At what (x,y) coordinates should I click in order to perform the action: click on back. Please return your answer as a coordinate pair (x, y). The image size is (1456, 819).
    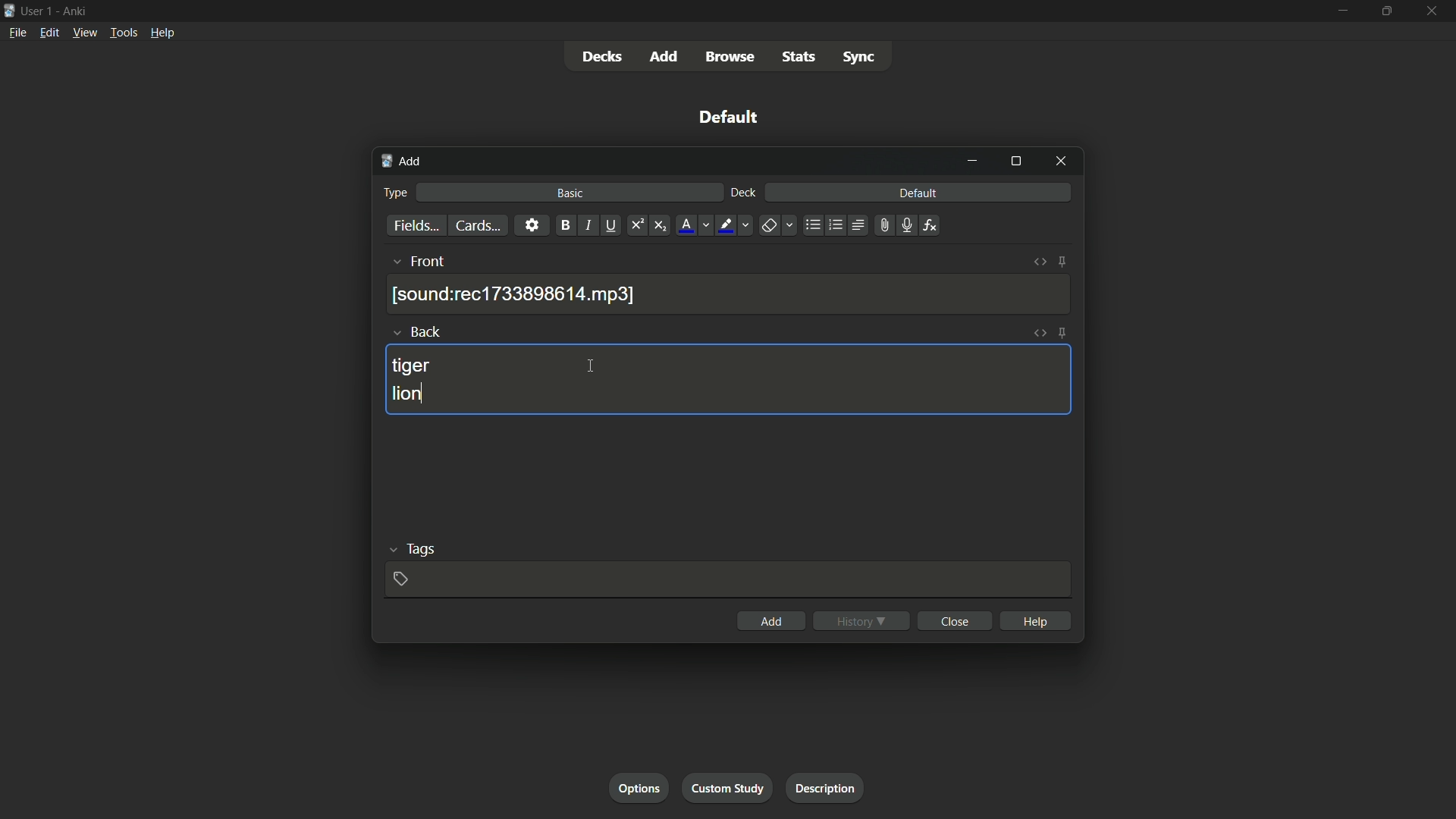
    Looking at the image, I should click on (428, 331).